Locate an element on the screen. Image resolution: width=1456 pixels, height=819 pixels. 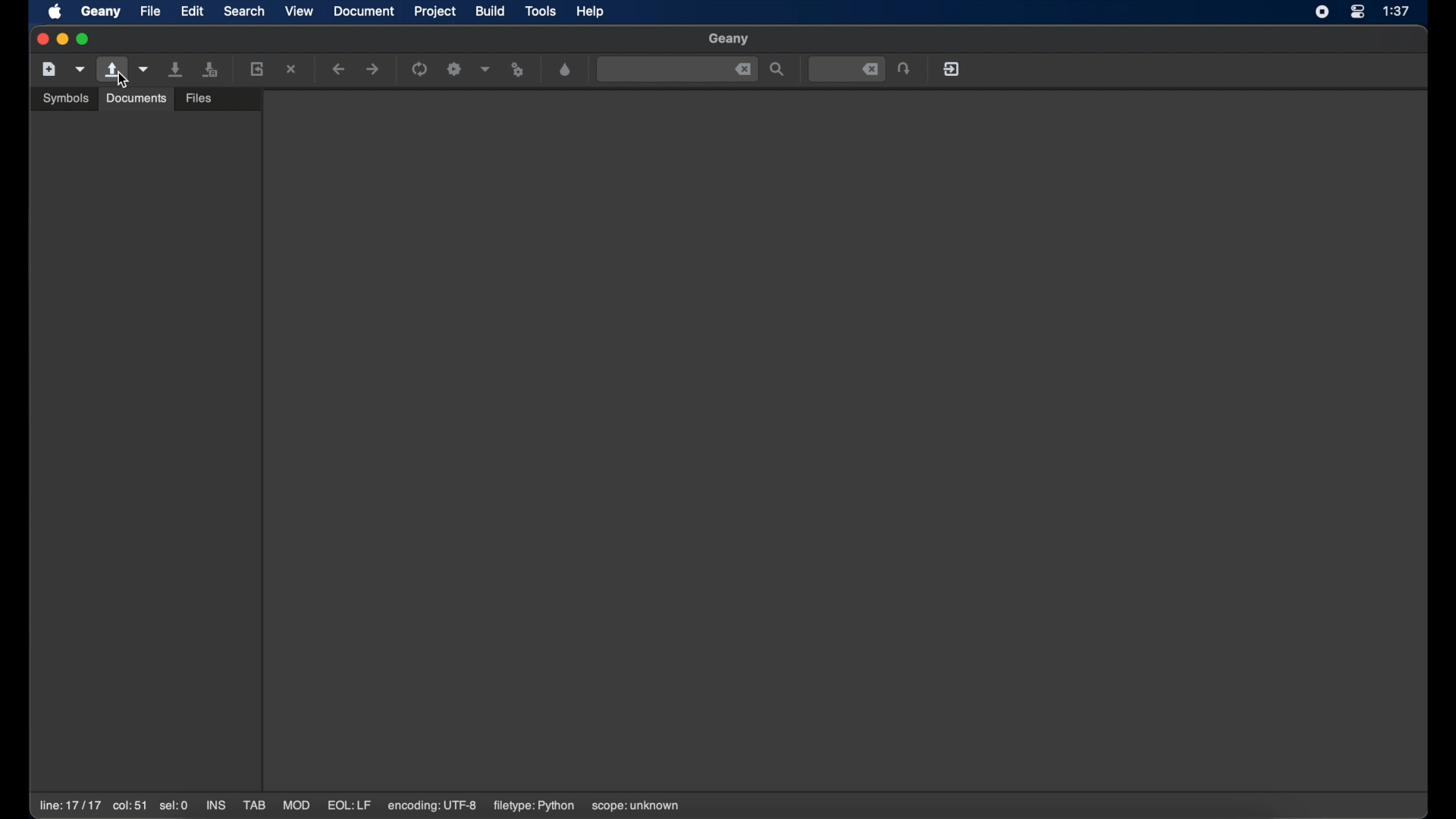
encoding: utf-8 is located at coordinates (432, 806).